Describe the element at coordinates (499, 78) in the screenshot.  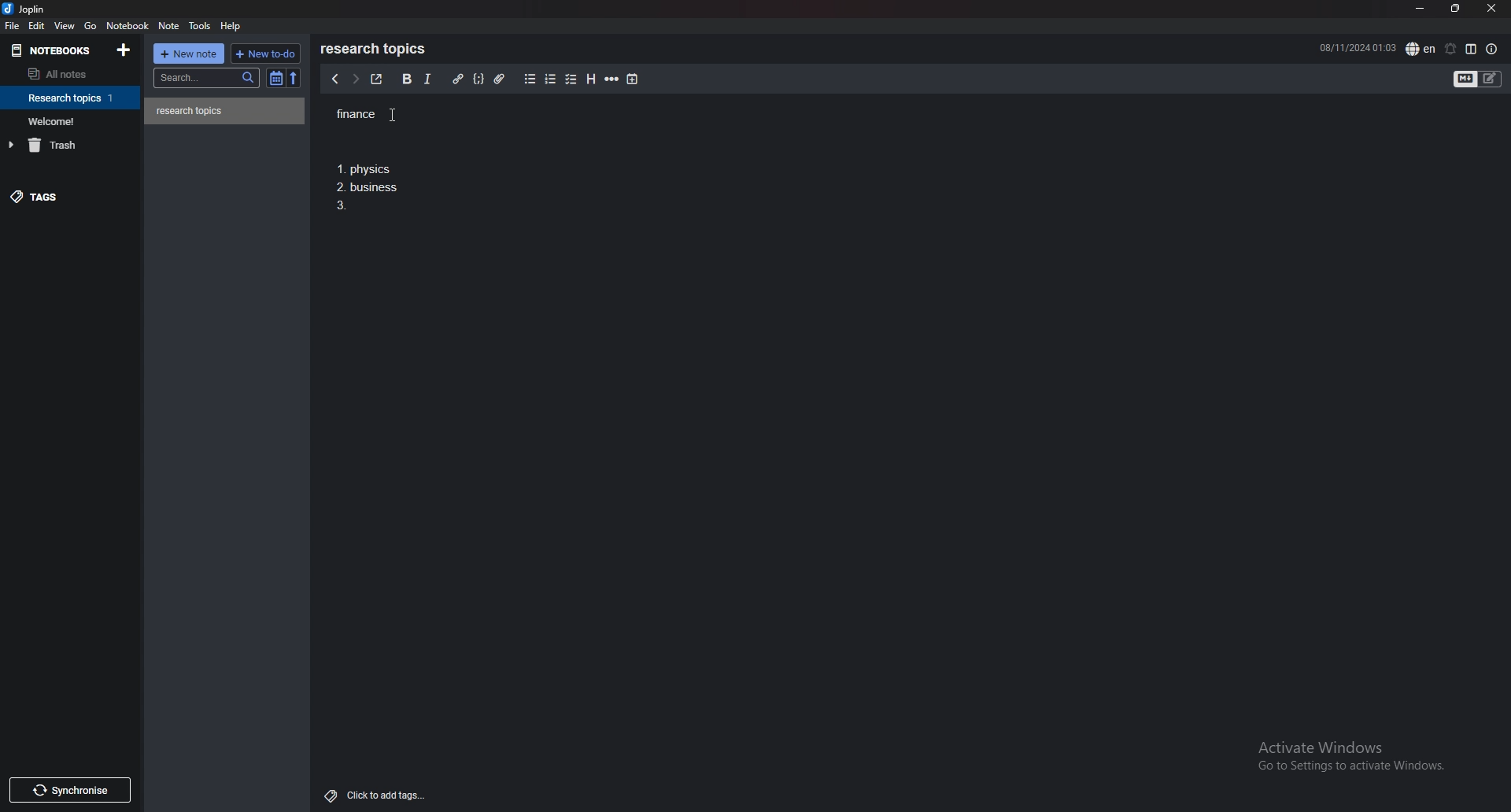
I see `attachment` at that location.